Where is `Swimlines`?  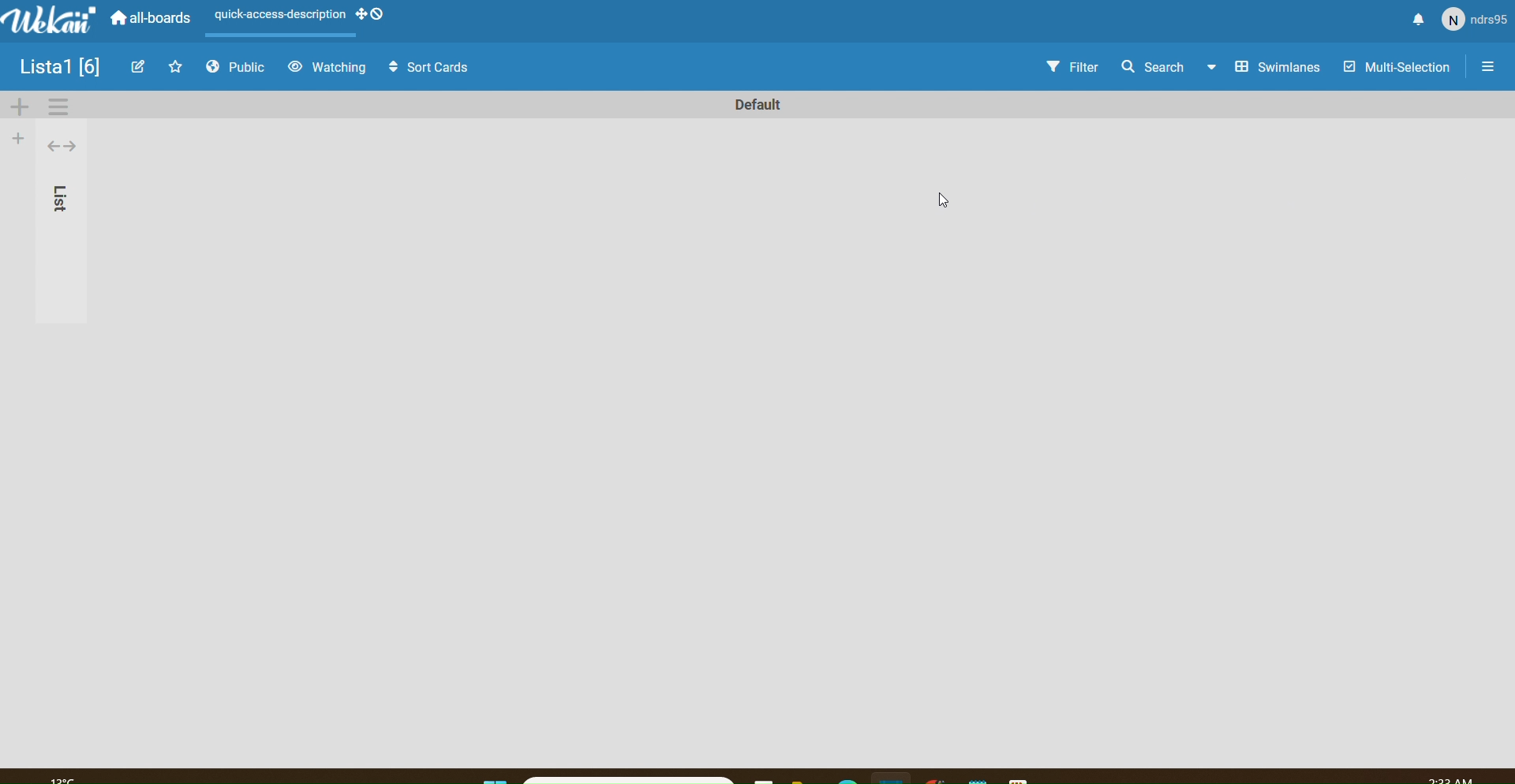 Swimlines is located at coordinates (1266, 68).